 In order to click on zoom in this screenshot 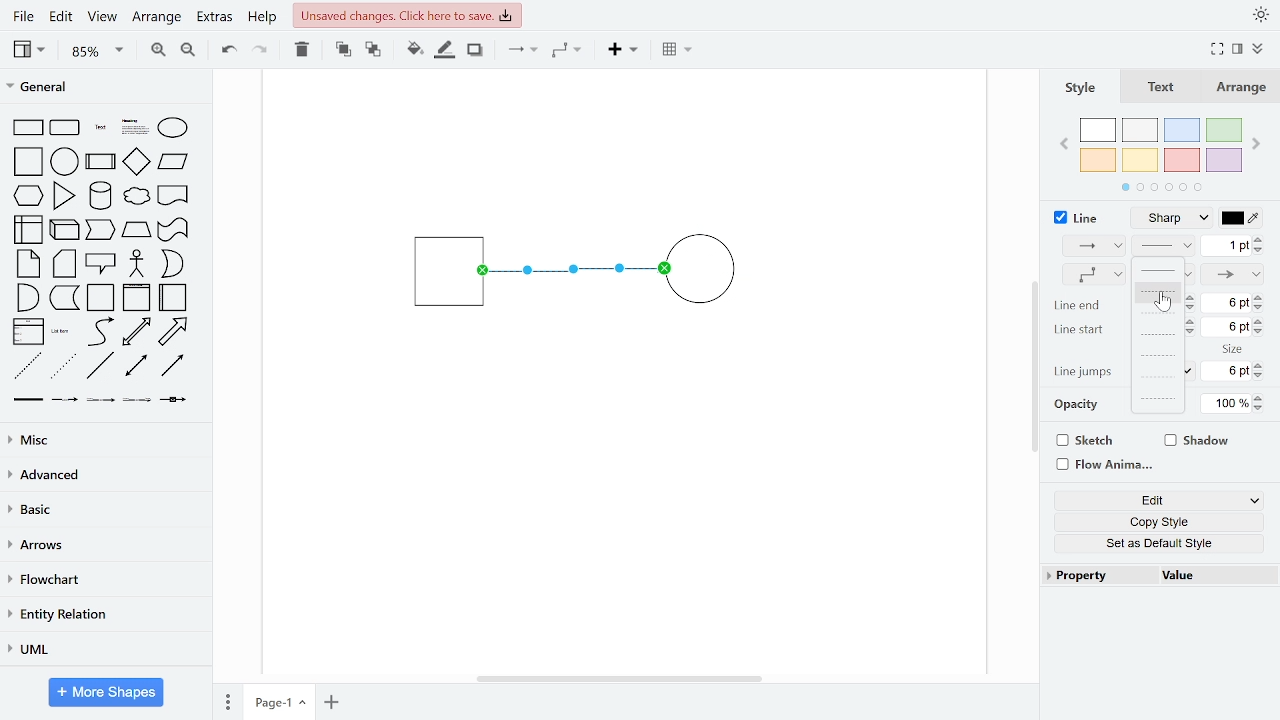, I will do `click(98, 50)`.